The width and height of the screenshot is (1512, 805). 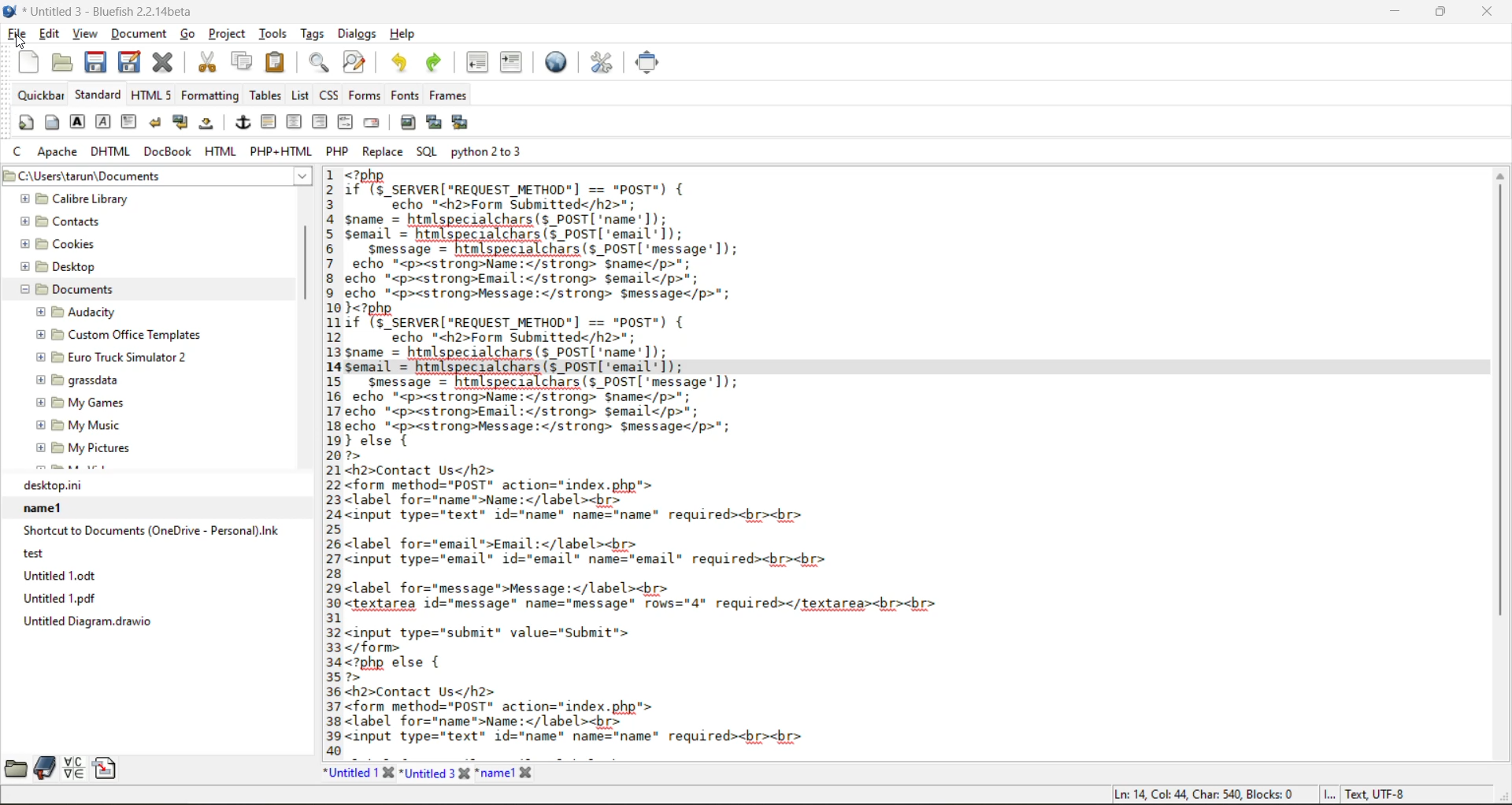 I want to click on view, so click(x=86, y=35).